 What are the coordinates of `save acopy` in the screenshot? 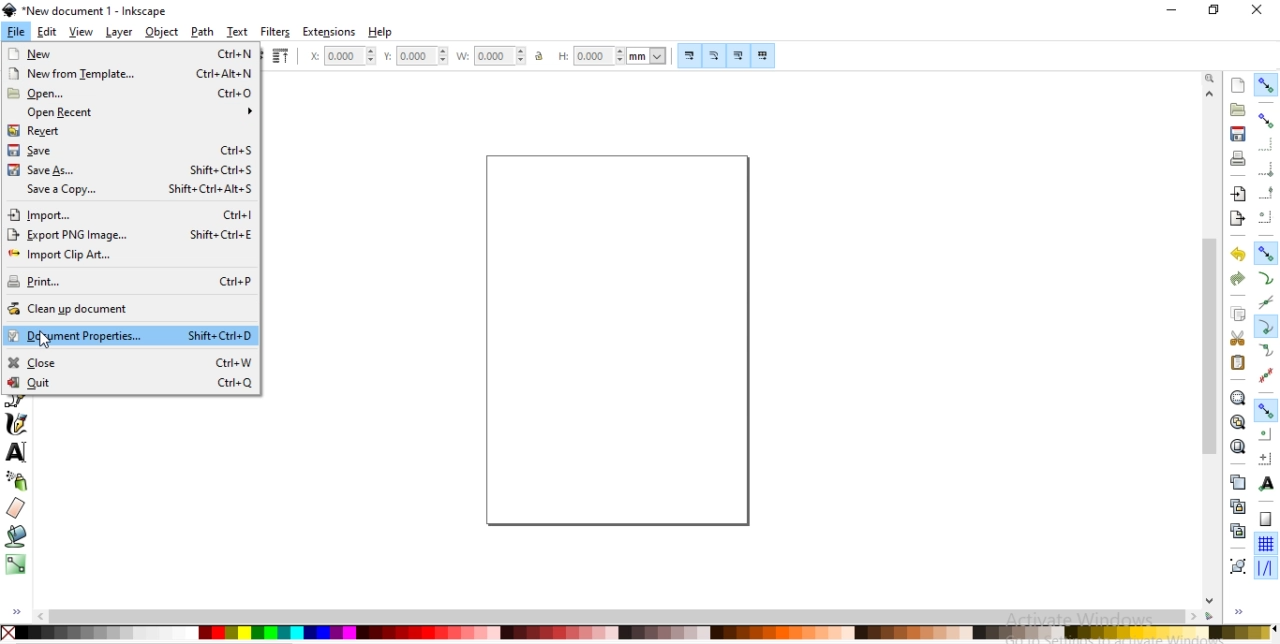 It's located at (135, 190).